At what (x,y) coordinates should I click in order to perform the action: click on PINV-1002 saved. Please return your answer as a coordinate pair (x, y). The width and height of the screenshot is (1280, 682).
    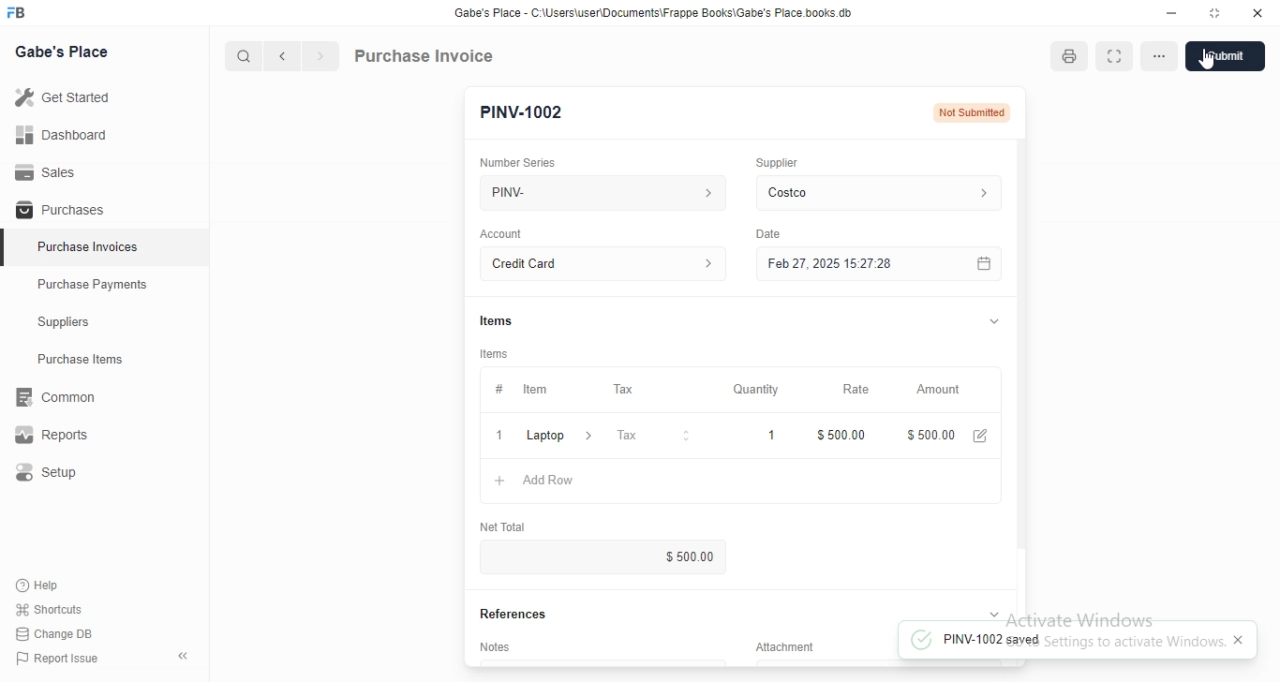
    Looking at the image, I should click on (1065, 638).